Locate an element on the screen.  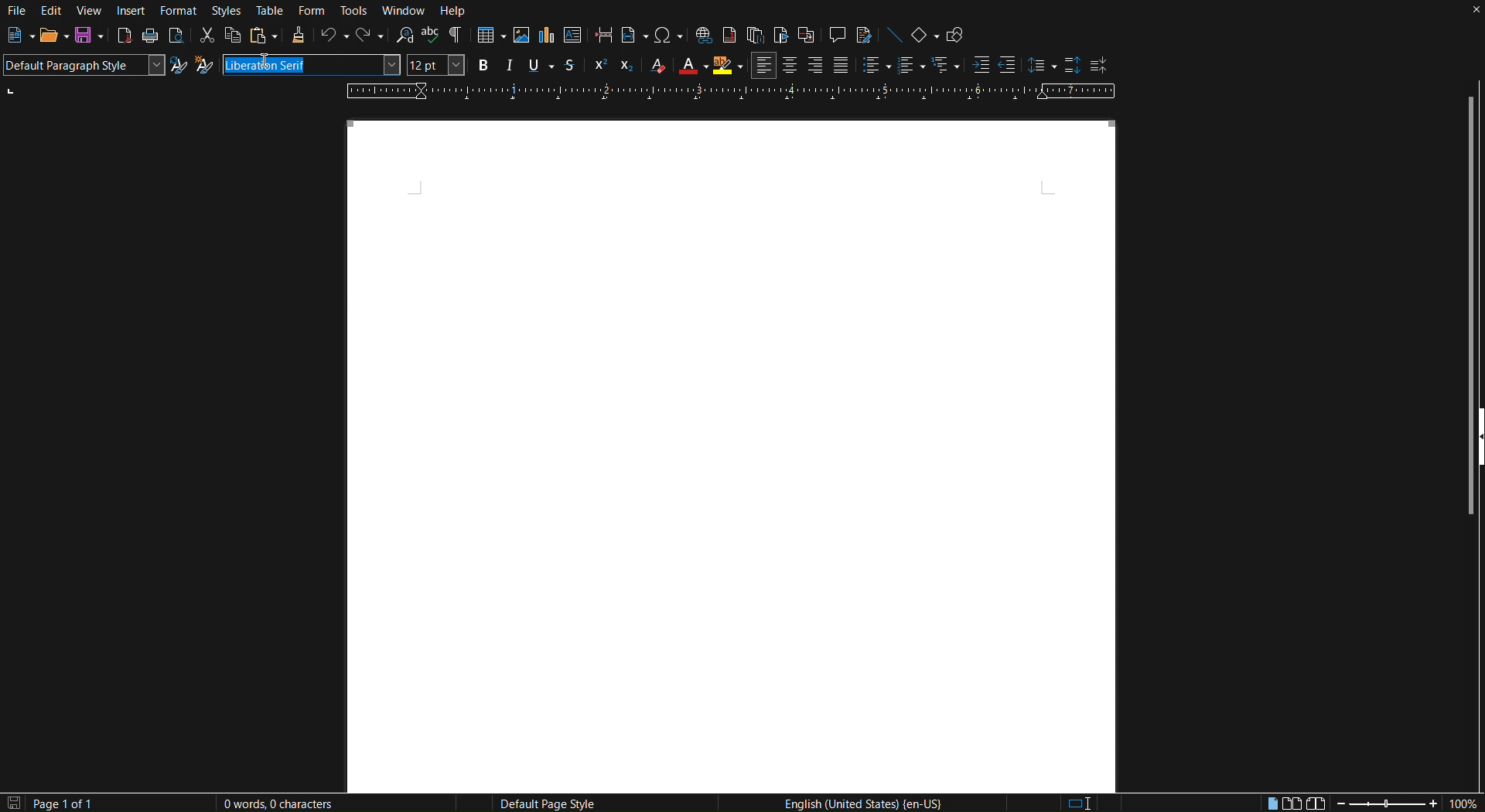
Digital signature: the document is not signed. is located at coordinates (1138, 803).